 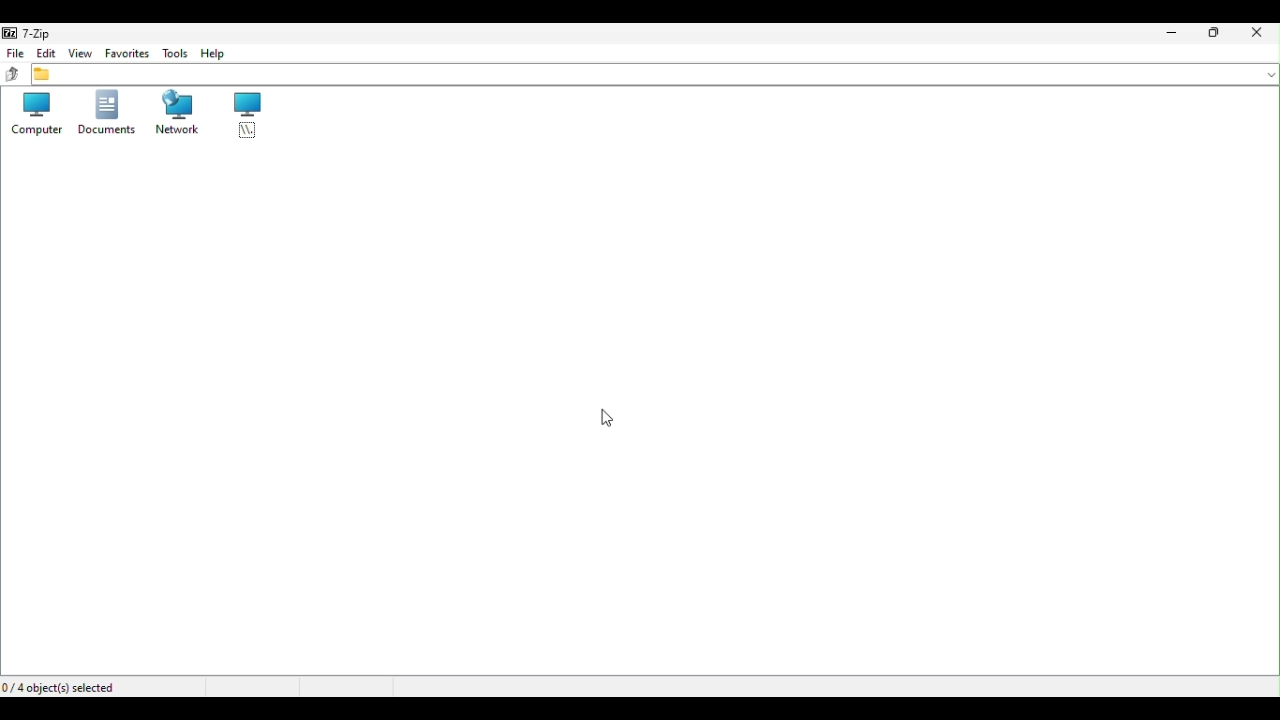 I want to click on up, so click(x=11, y=75).